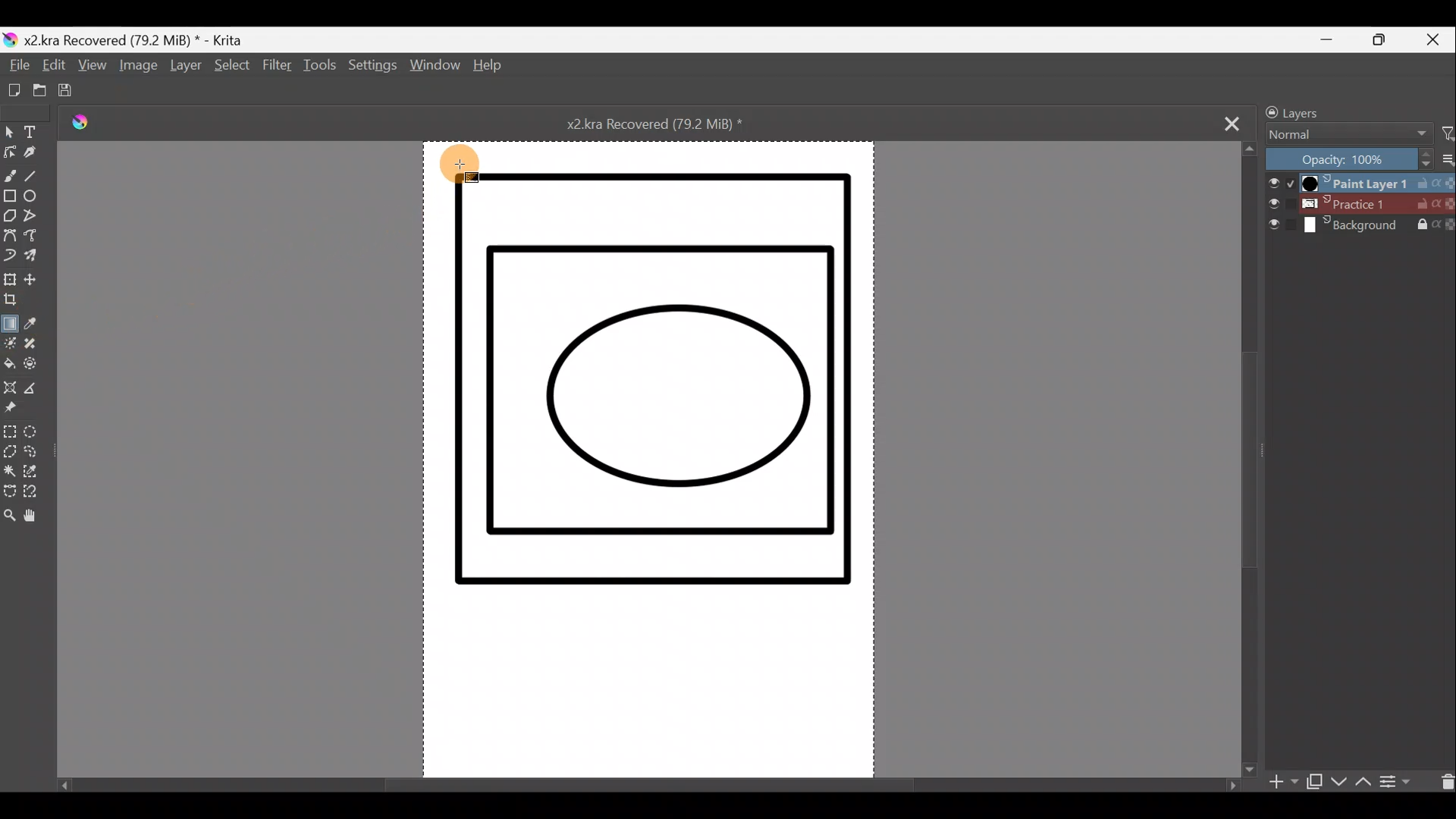  What do you see at coordinates (185, 68) in the screenshot?
I see `Layer` at bounding box center [185, 68].